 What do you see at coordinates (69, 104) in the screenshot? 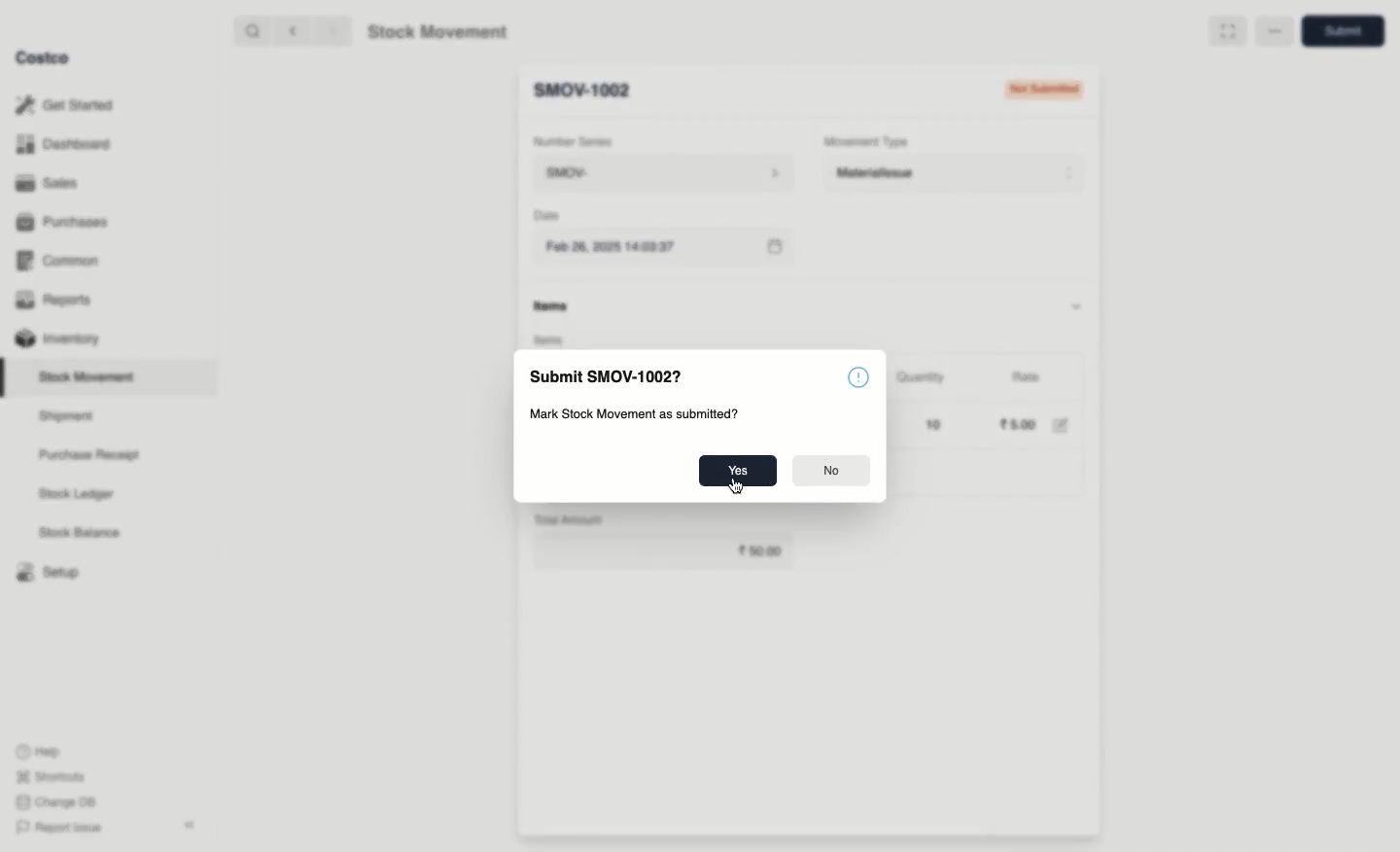
I see `Get Started` at bounding box center [69, 104].